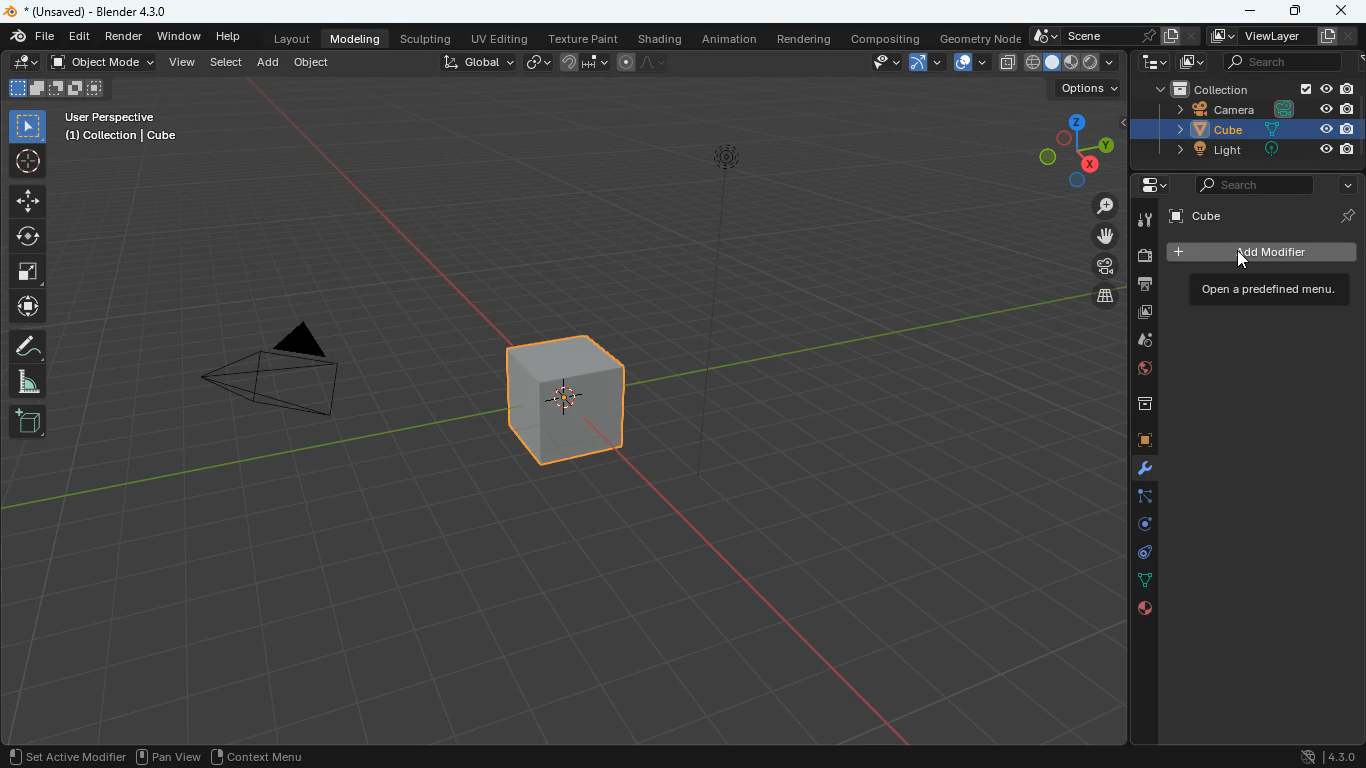 Image resolution: width=1366 pixels, height=768 pixels. Describe the element at coordinates (1073, 63) in the screenshot. I see `image type` at that location.